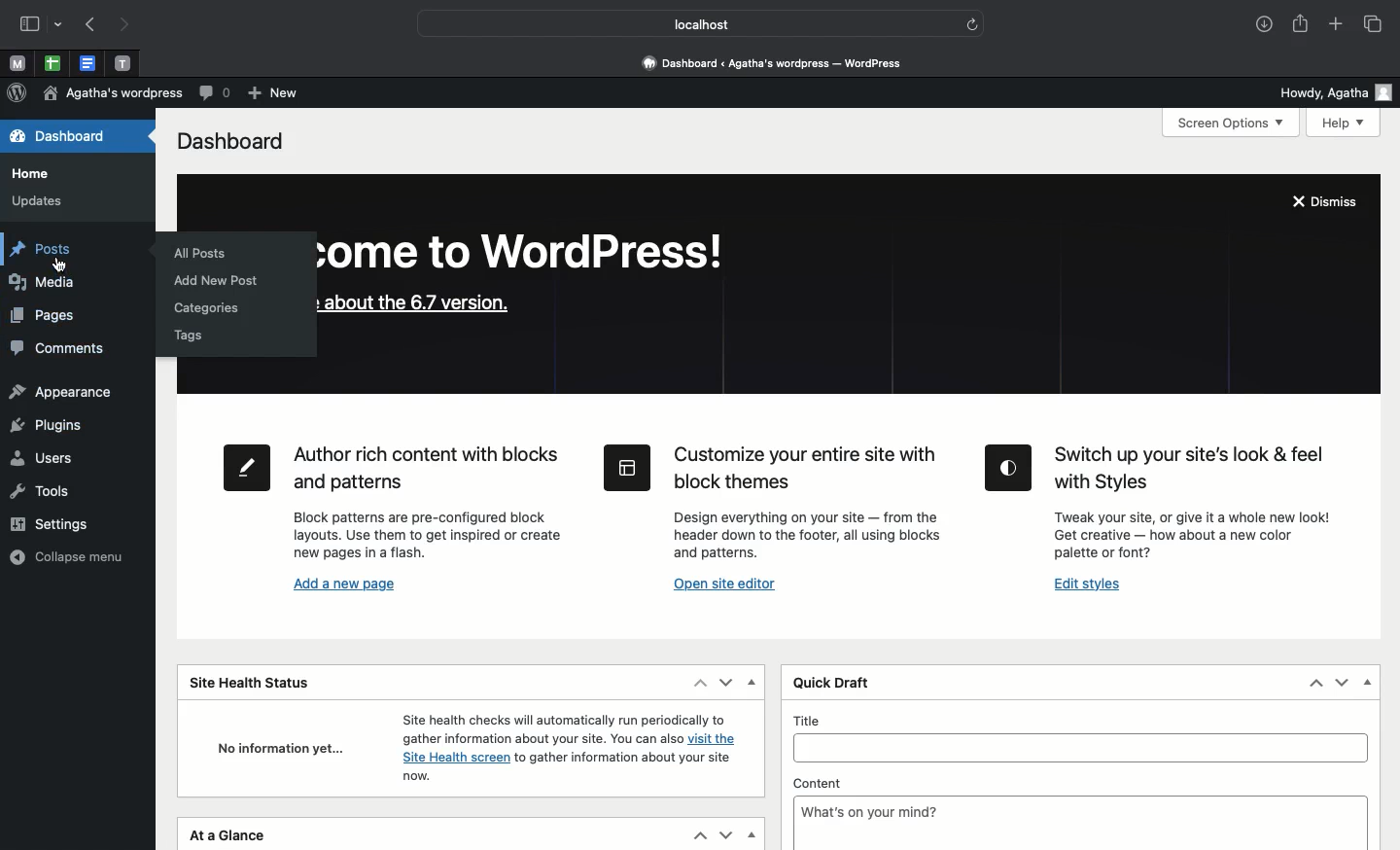  I want to click on Down, so click(726, 684).